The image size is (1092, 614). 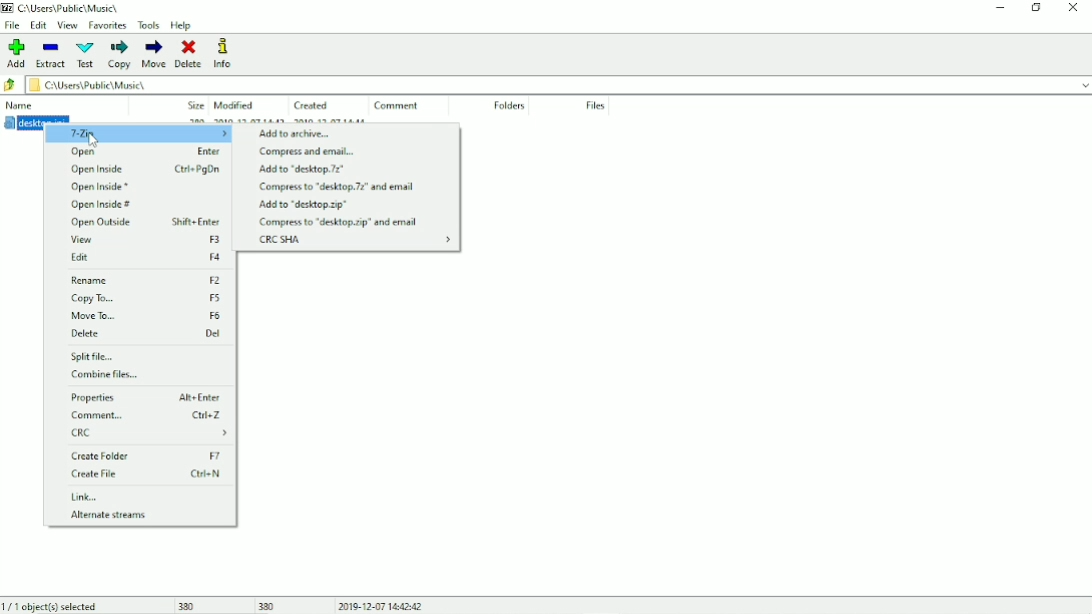 What do you see at coordinates (235, 105) in the screenshot?
I see `Modified` at bounding box center [235, 105].